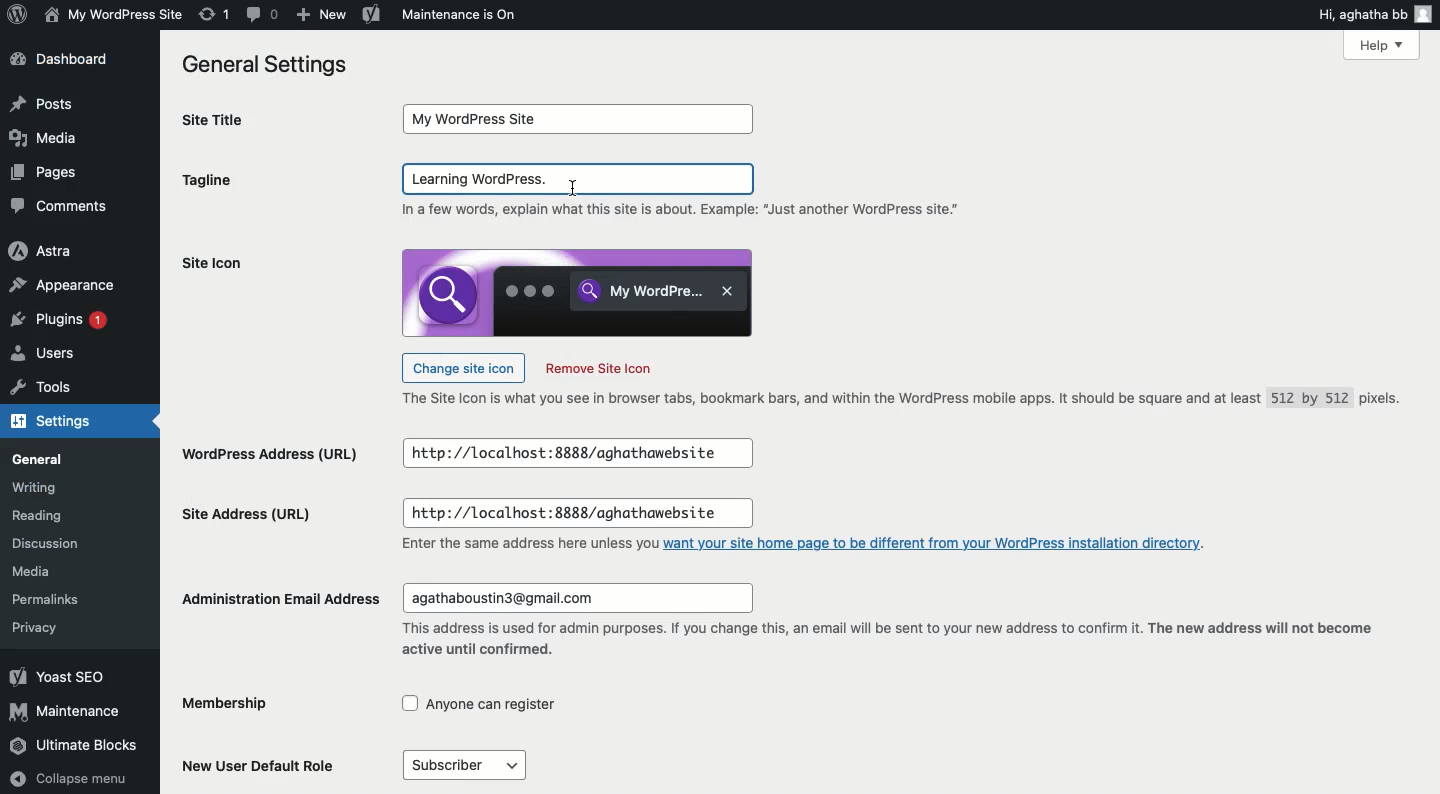 The height and width of the screenshot is (794, 1440). What do you see at coordinates (76, 747) in the screenshot?
I see `Ultimate blocks` at bounding box center [76, 747].